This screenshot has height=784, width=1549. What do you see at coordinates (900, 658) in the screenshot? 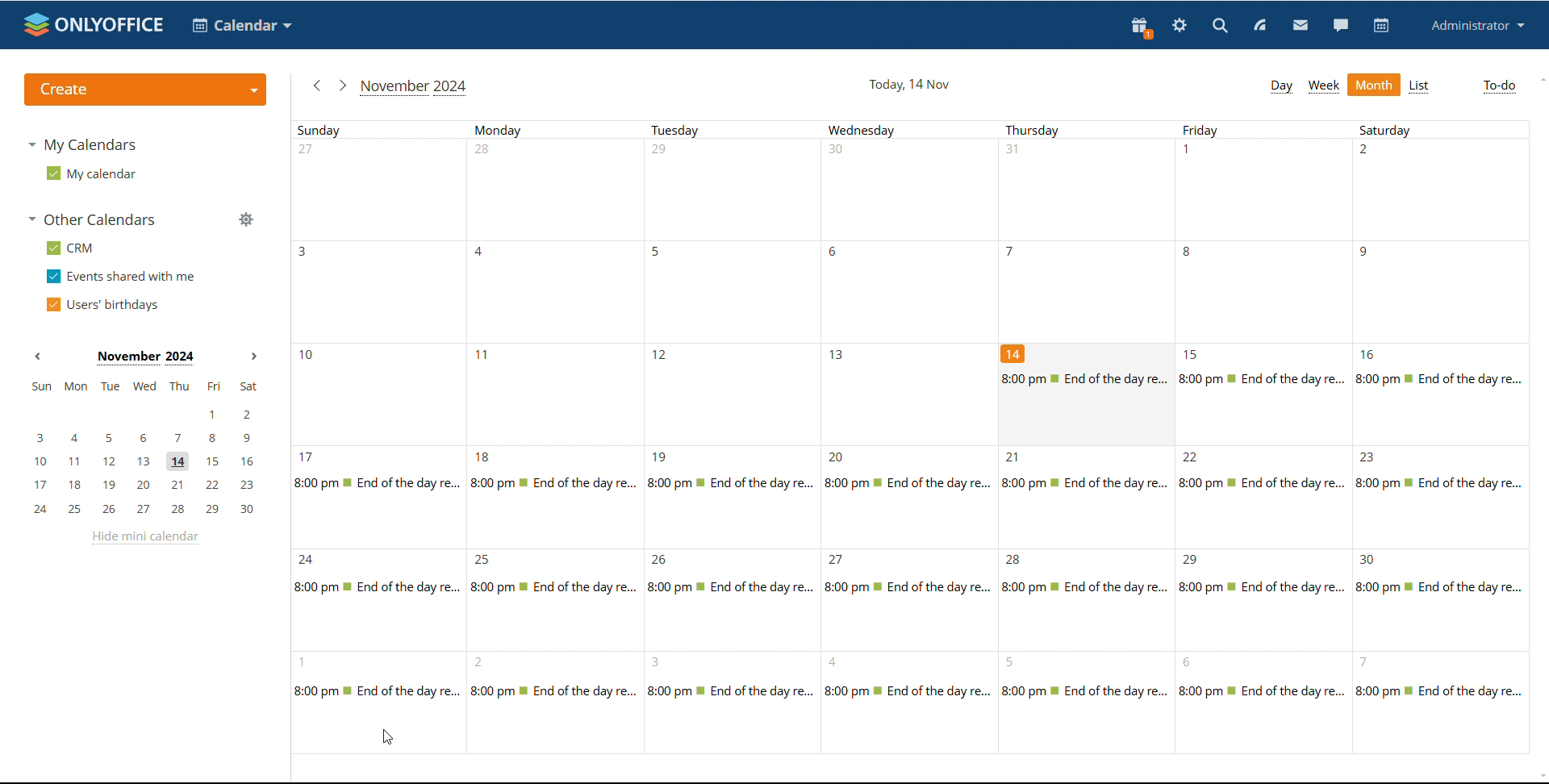
I see `Dates of the month` at bounding box center [900, 658].